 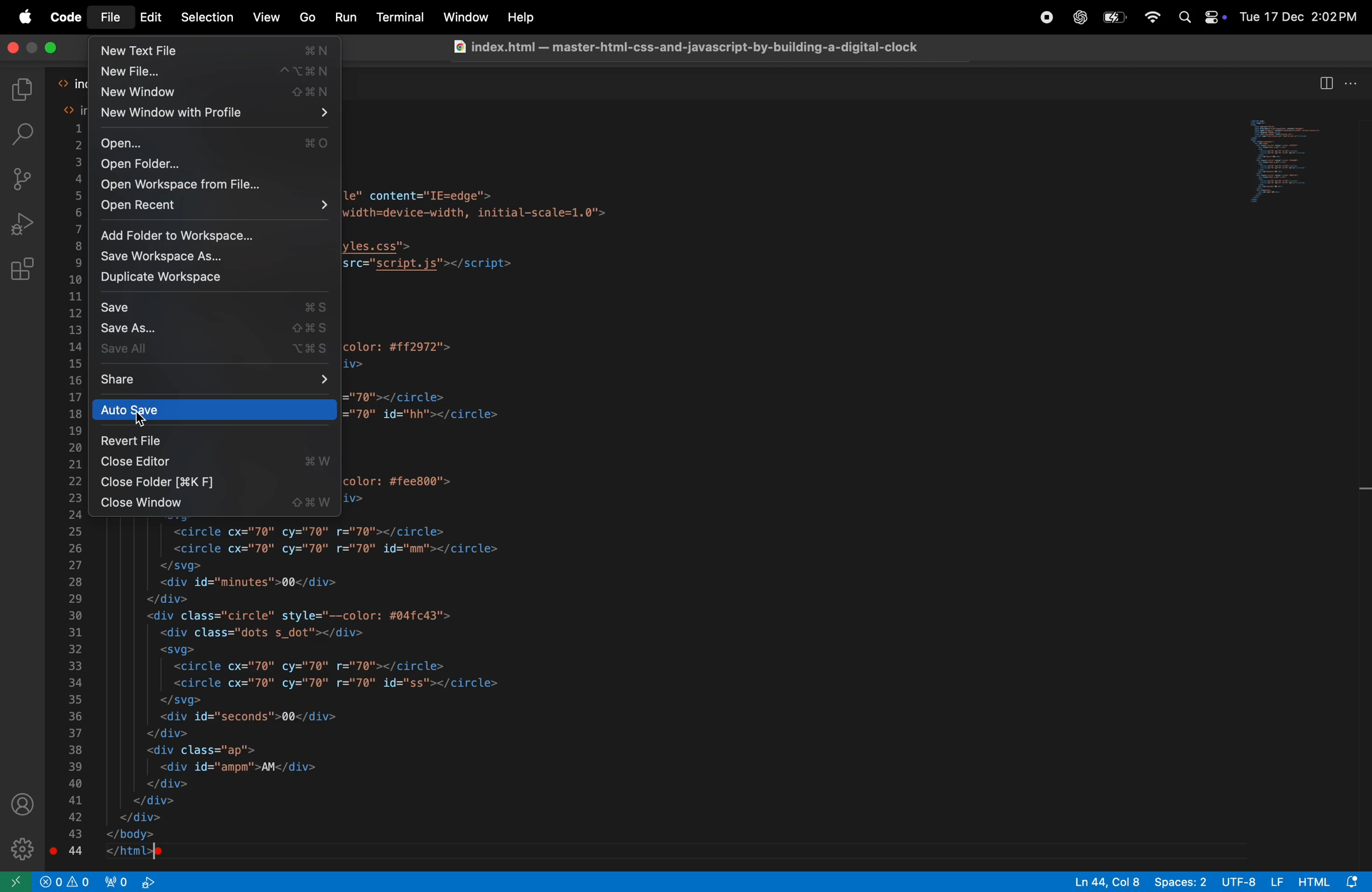 What do you see at coordinates (1281, 164) in the screenshot?
I see `code window` at bounding box center [1281, 164].